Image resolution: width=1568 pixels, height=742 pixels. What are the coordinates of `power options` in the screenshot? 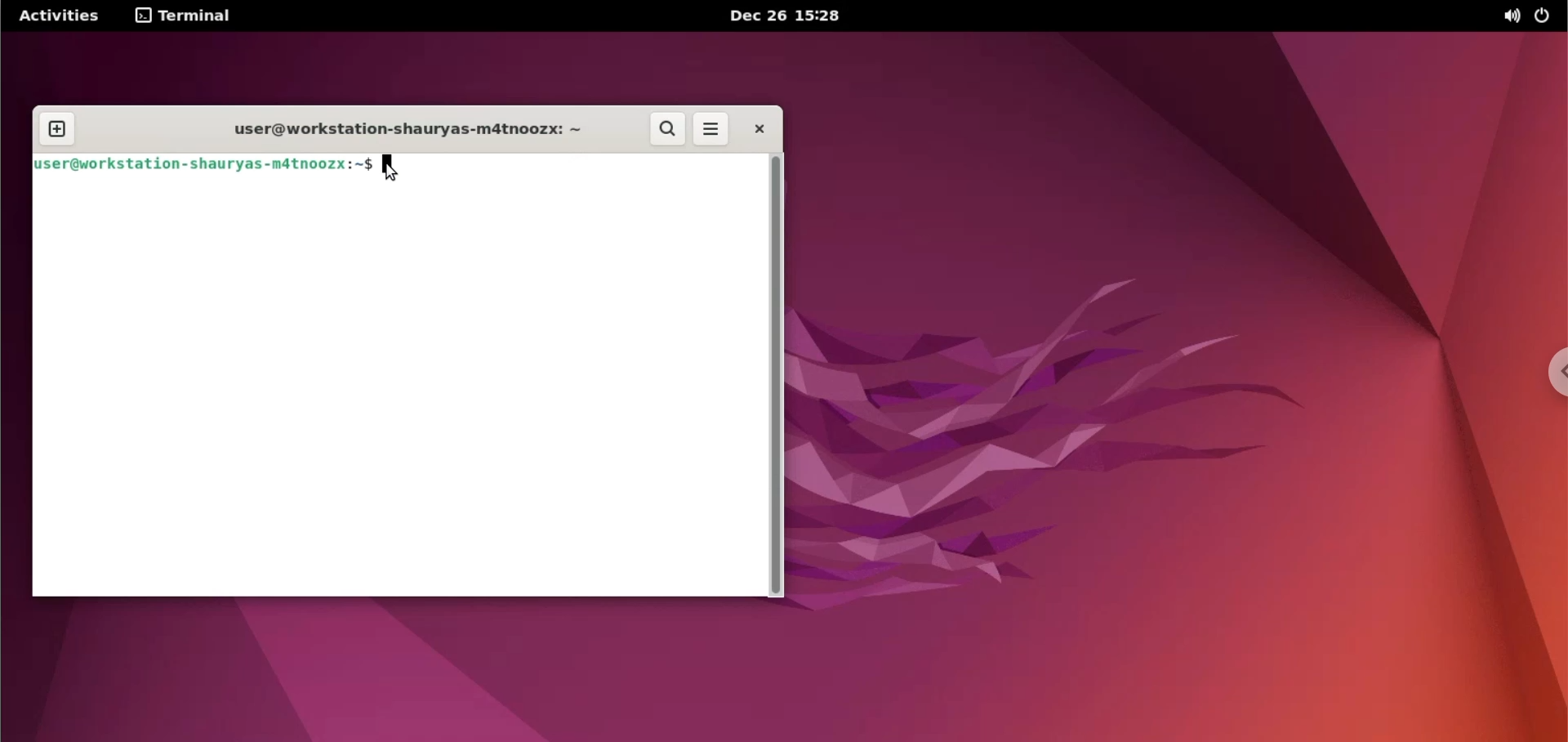 It's located at (1549, 16).